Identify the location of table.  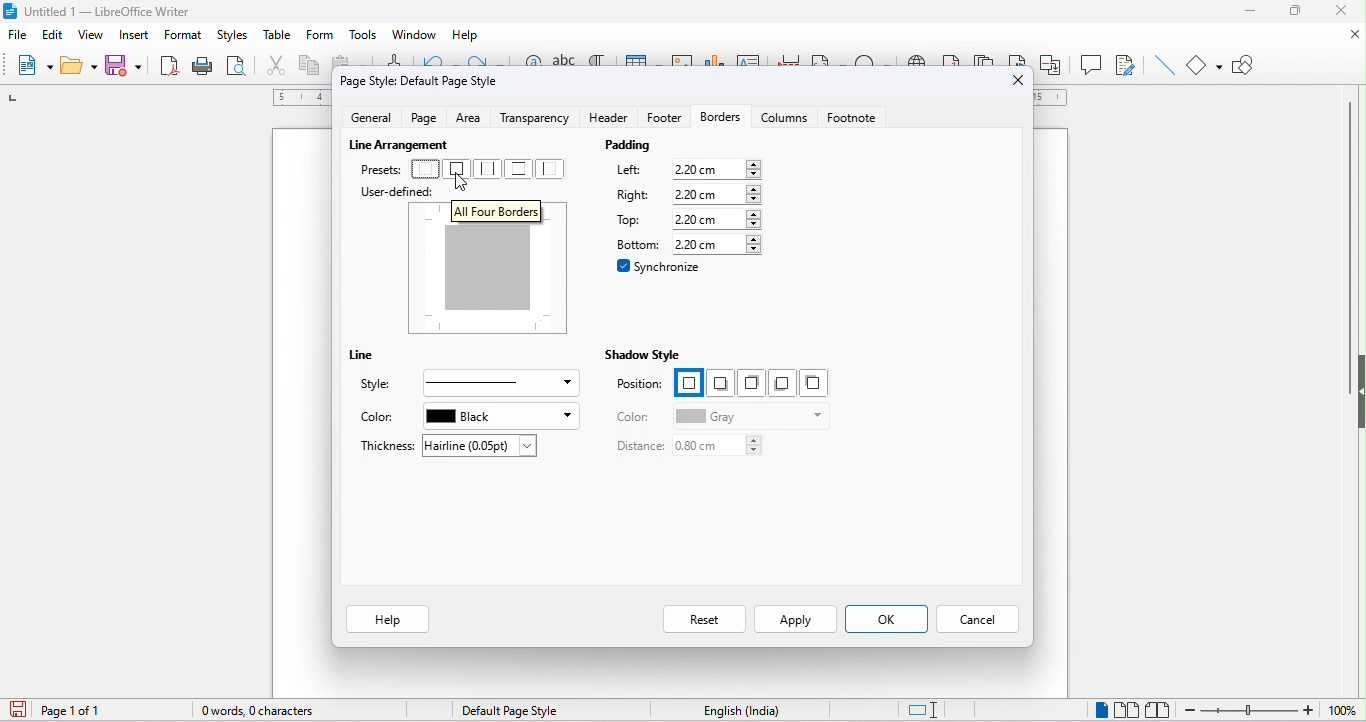
(278, 37).